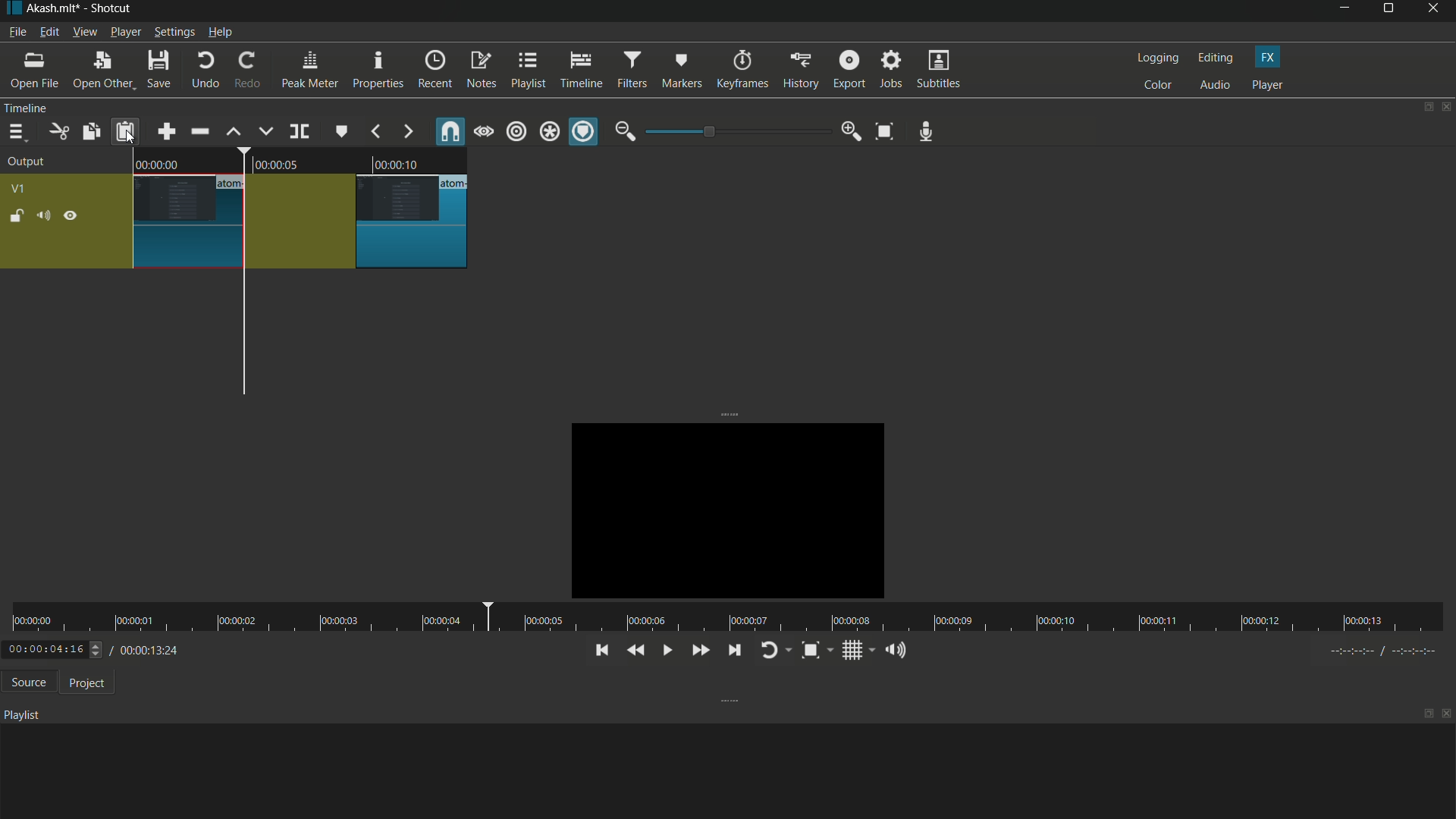 The width and height of the screenshot is (1456, 819). I want to click on output, so click(27, 163).